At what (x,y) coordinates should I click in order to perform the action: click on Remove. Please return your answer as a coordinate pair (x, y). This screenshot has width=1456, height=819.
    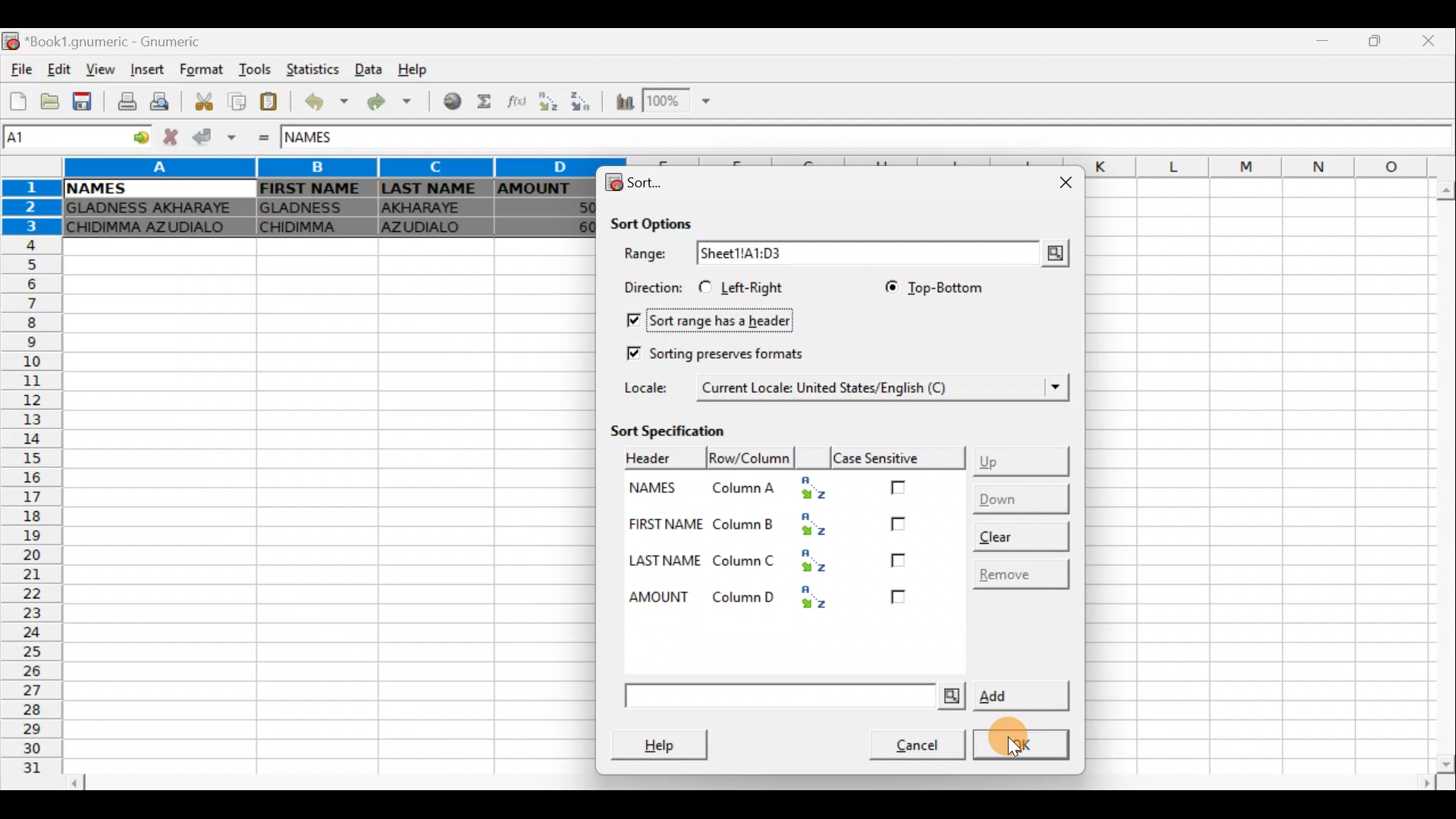
    Looking at the image, I should click on (1018, 573).